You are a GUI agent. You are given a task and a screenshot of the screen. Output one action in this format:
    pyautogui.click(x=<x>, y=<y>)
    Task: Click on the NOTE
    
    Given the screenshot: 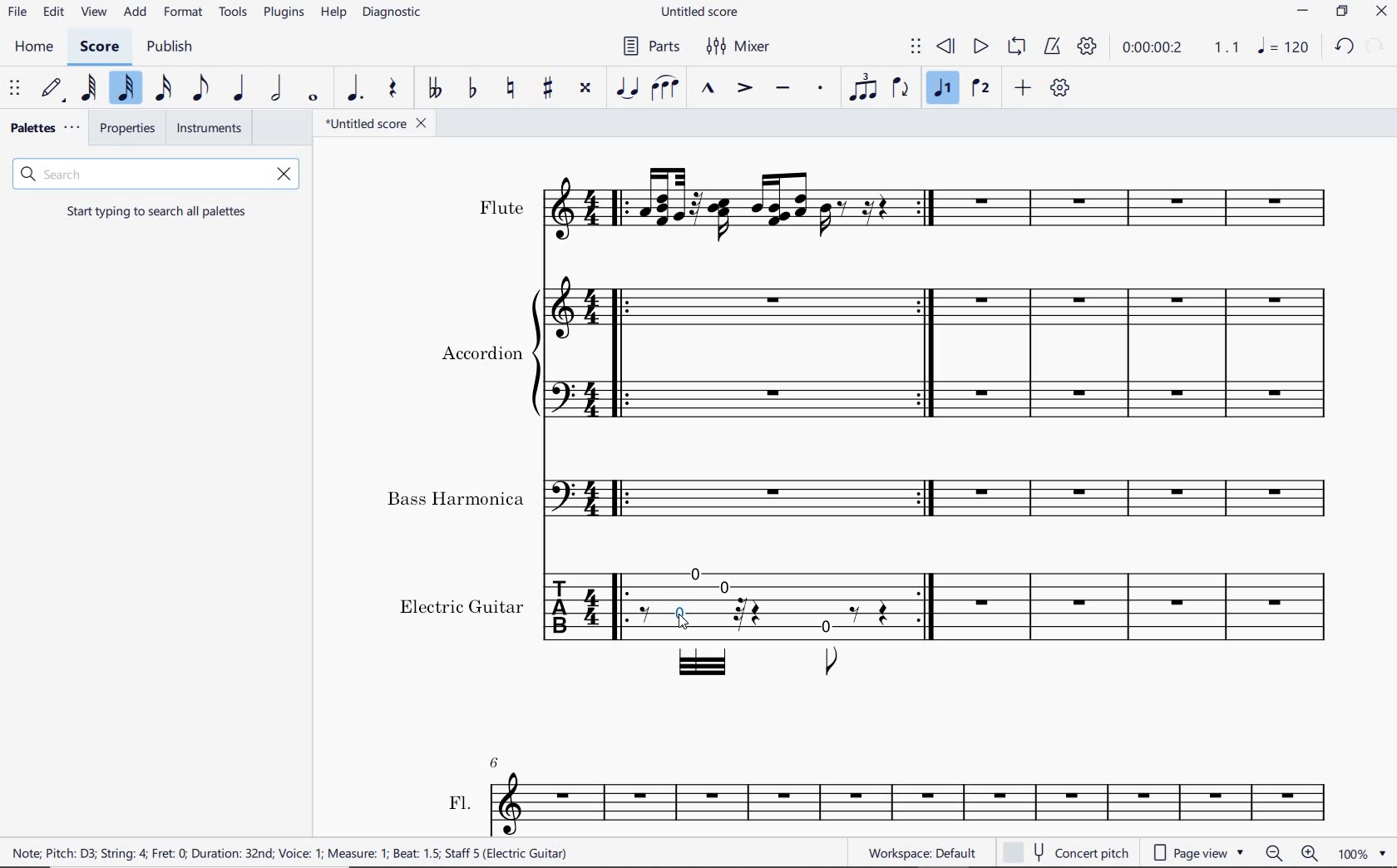 What is the action you would take?
    pyautogui.click(x=1285, y=47)
    